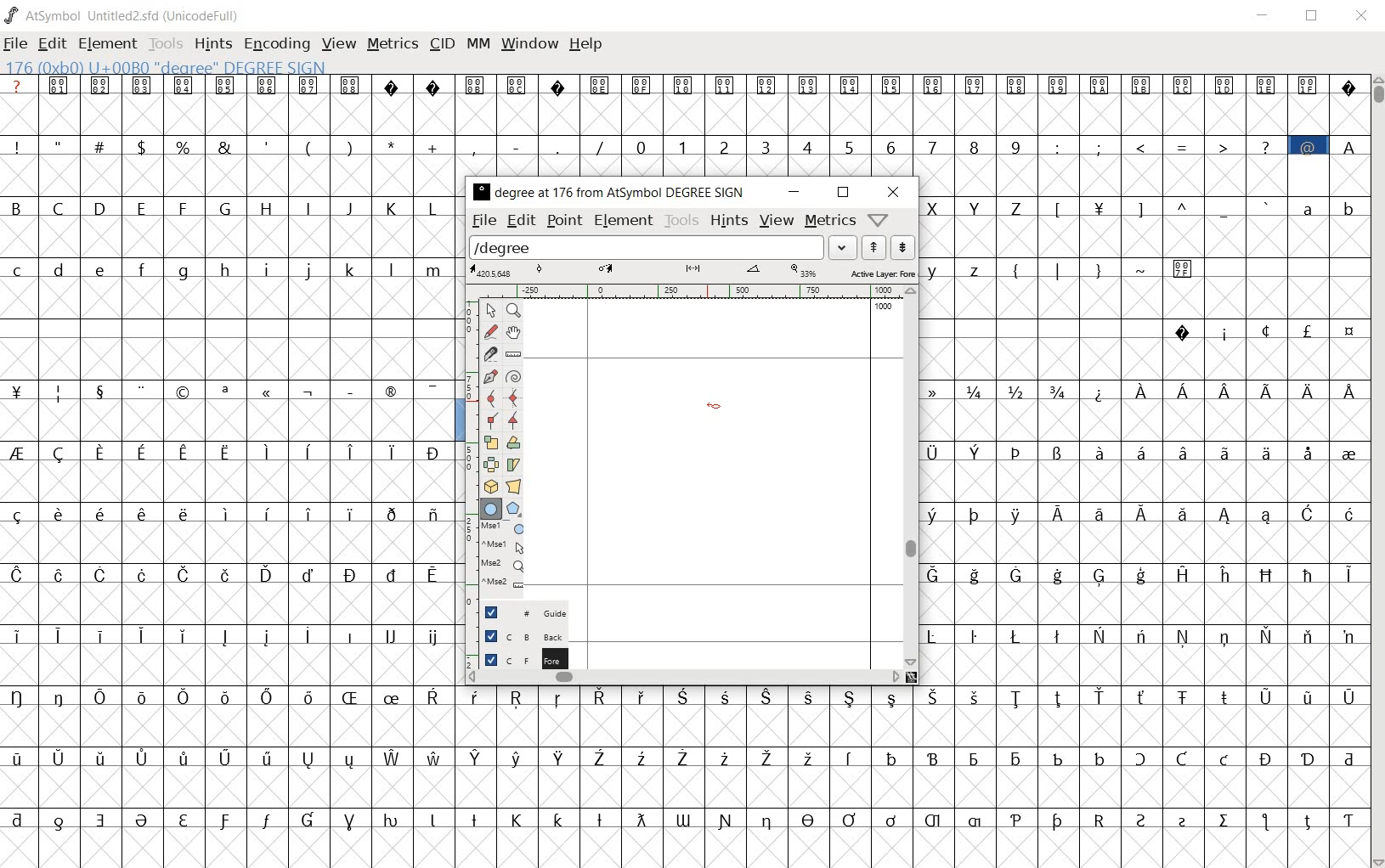 The image size is (1385, 868). Describe the element at coordinates (792, 192) in the screenshot. I see `minimize` at that location.